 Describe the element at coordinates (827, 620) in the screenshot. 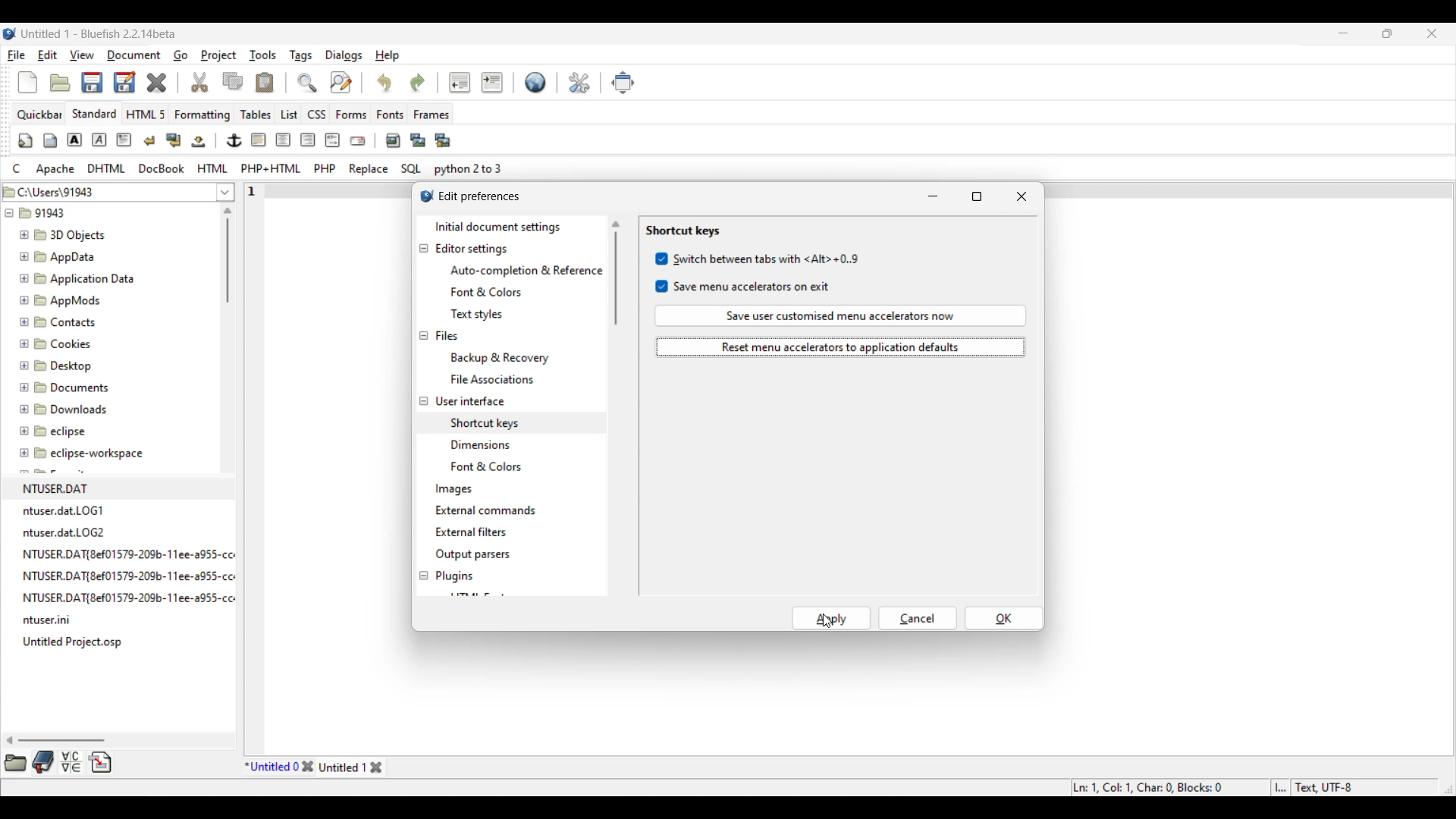

I see `Cursor clicking on Apply` at that location.